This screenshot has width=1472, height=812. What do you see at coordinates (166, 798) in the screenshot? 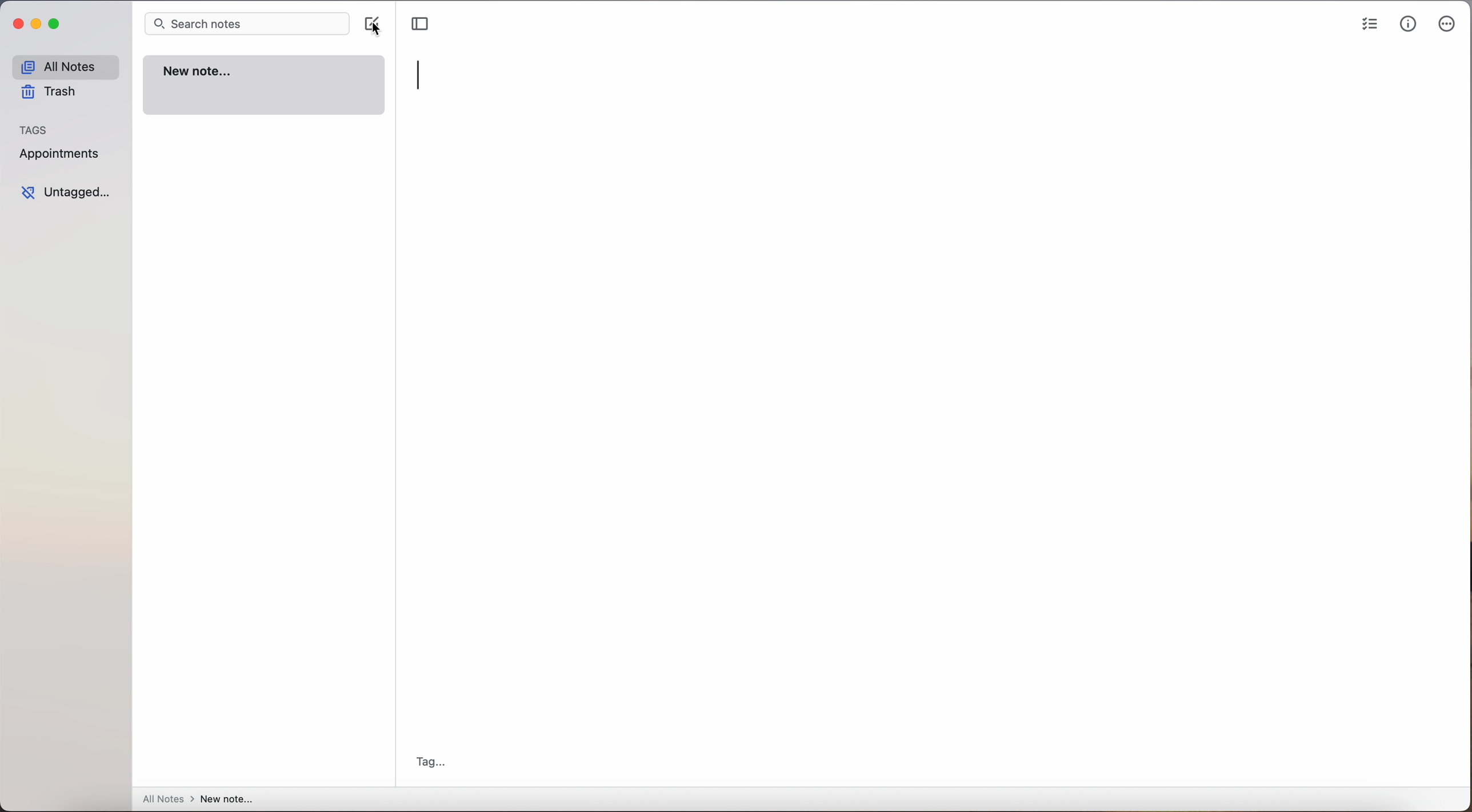
I see `all notes` at bounding box center [166, 798].